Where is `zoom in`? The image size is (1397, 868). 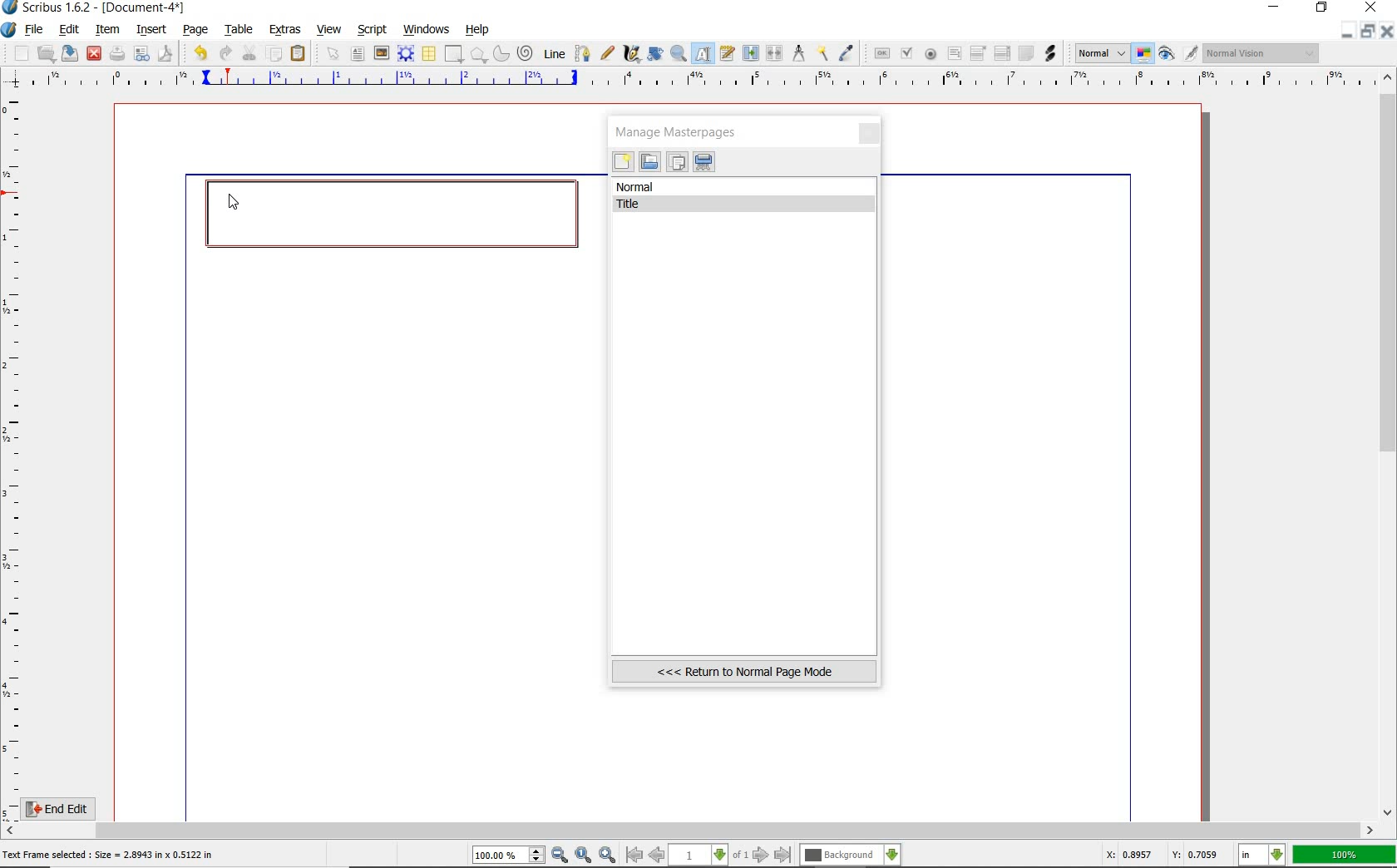
zoom in is located at coordinates (607, 854).